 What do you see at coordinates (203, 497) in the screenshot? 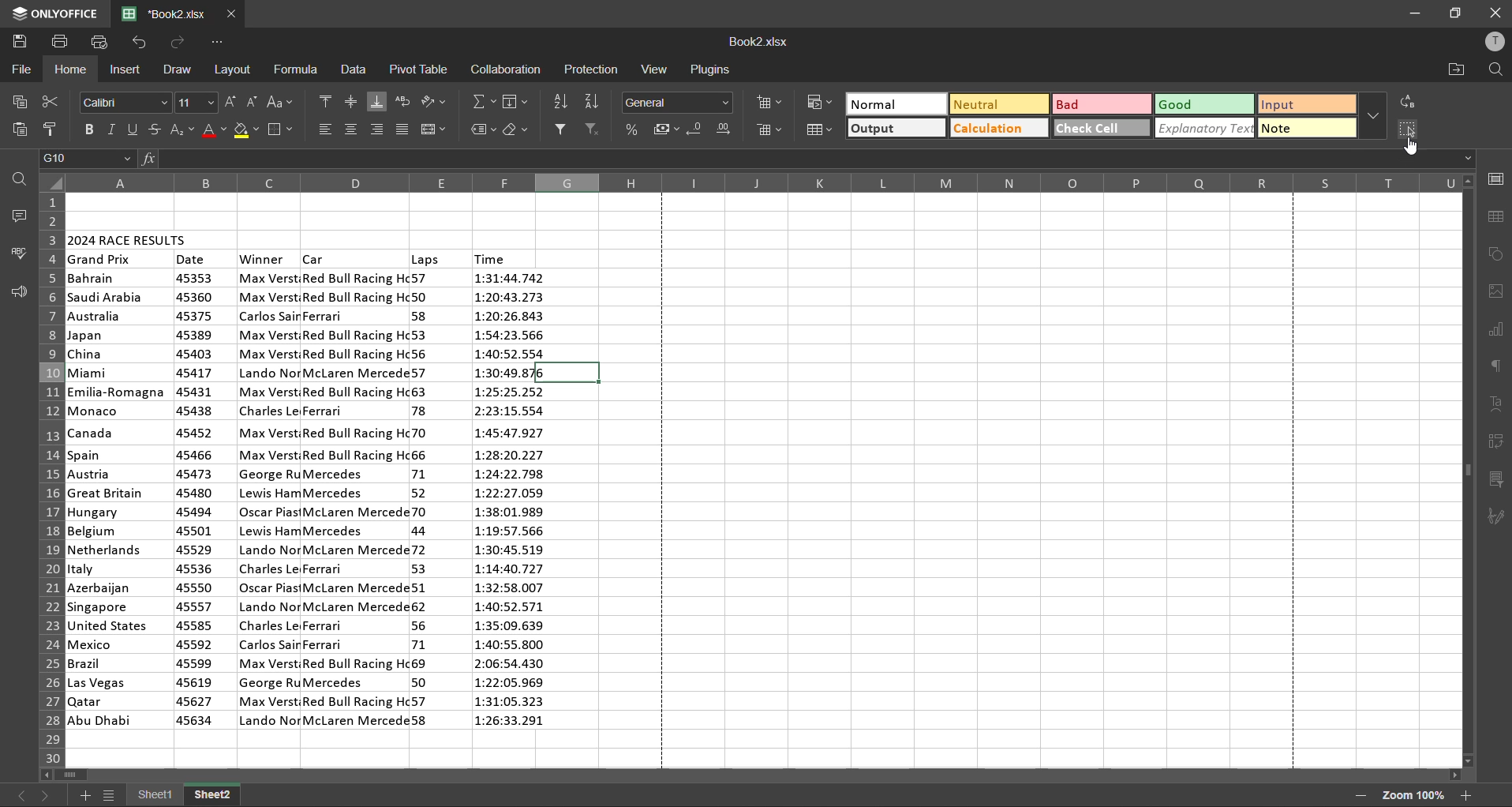
I see `date` at bounding box center [203, 497].